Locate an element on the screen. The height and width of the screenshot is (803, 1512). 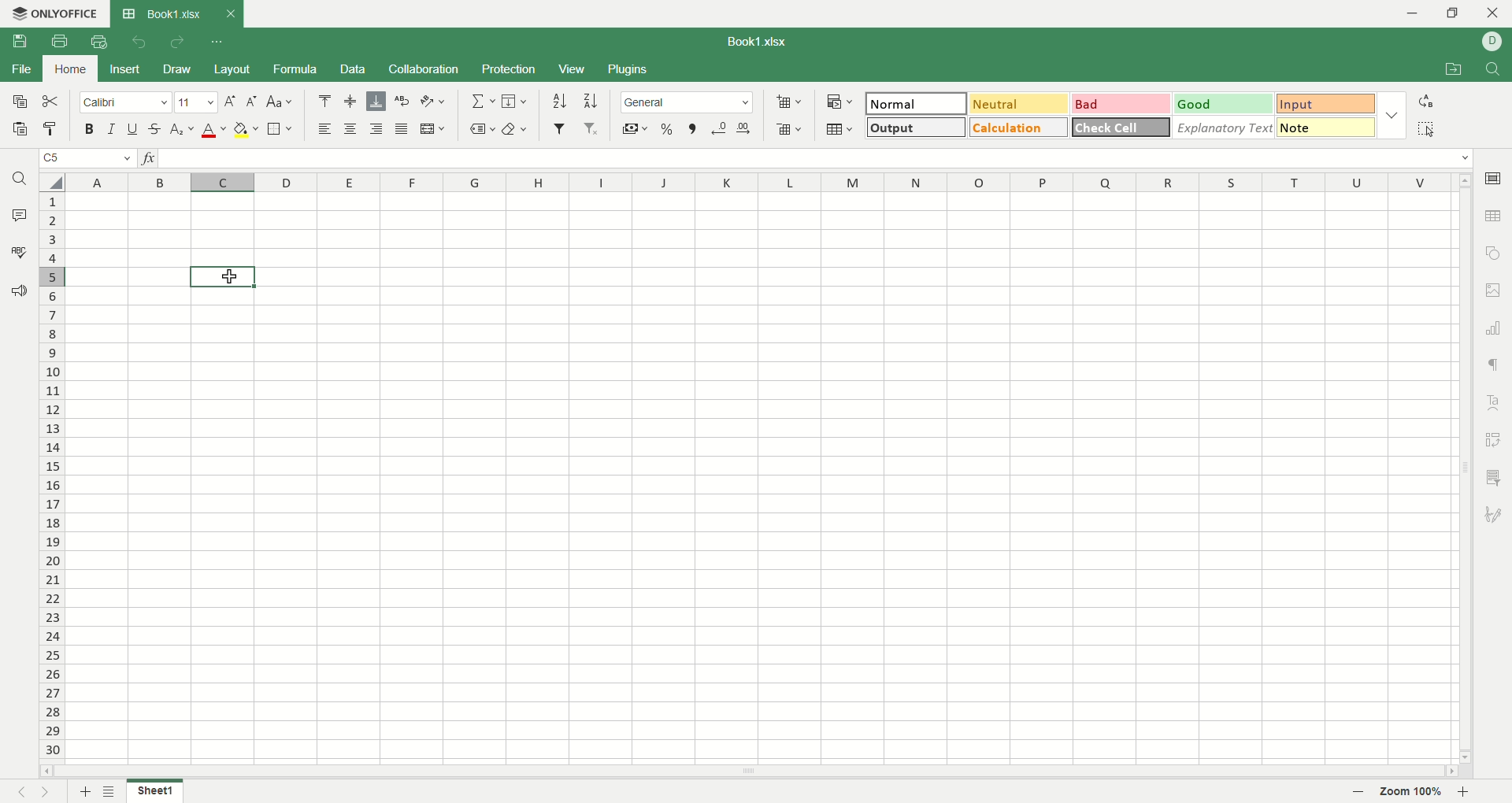
sheet1 is located at coordinates (159, 792).